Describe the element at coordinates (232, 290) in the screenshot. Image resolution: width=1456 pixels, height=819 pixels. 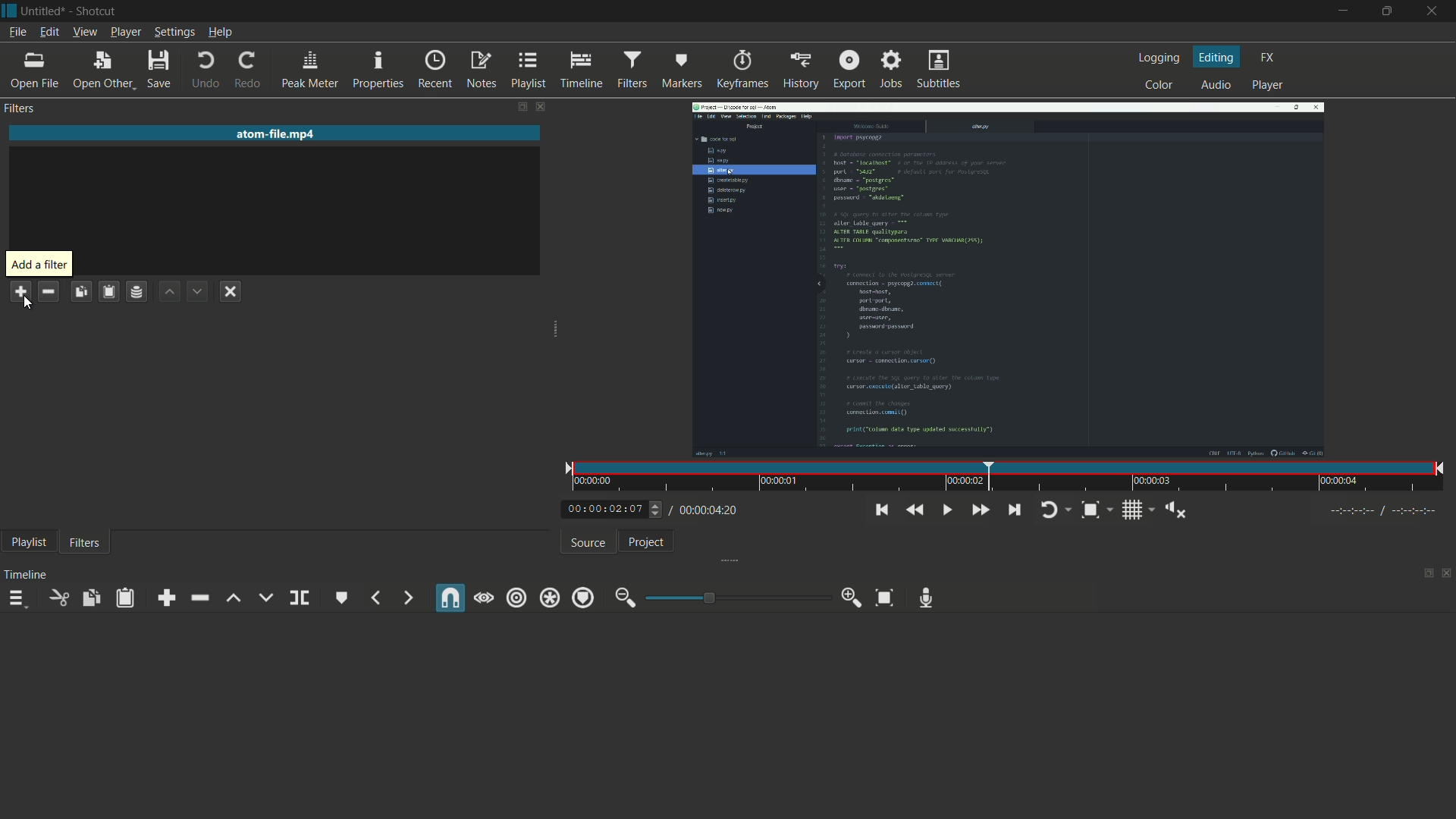
I see `deselect the filter` at that location.